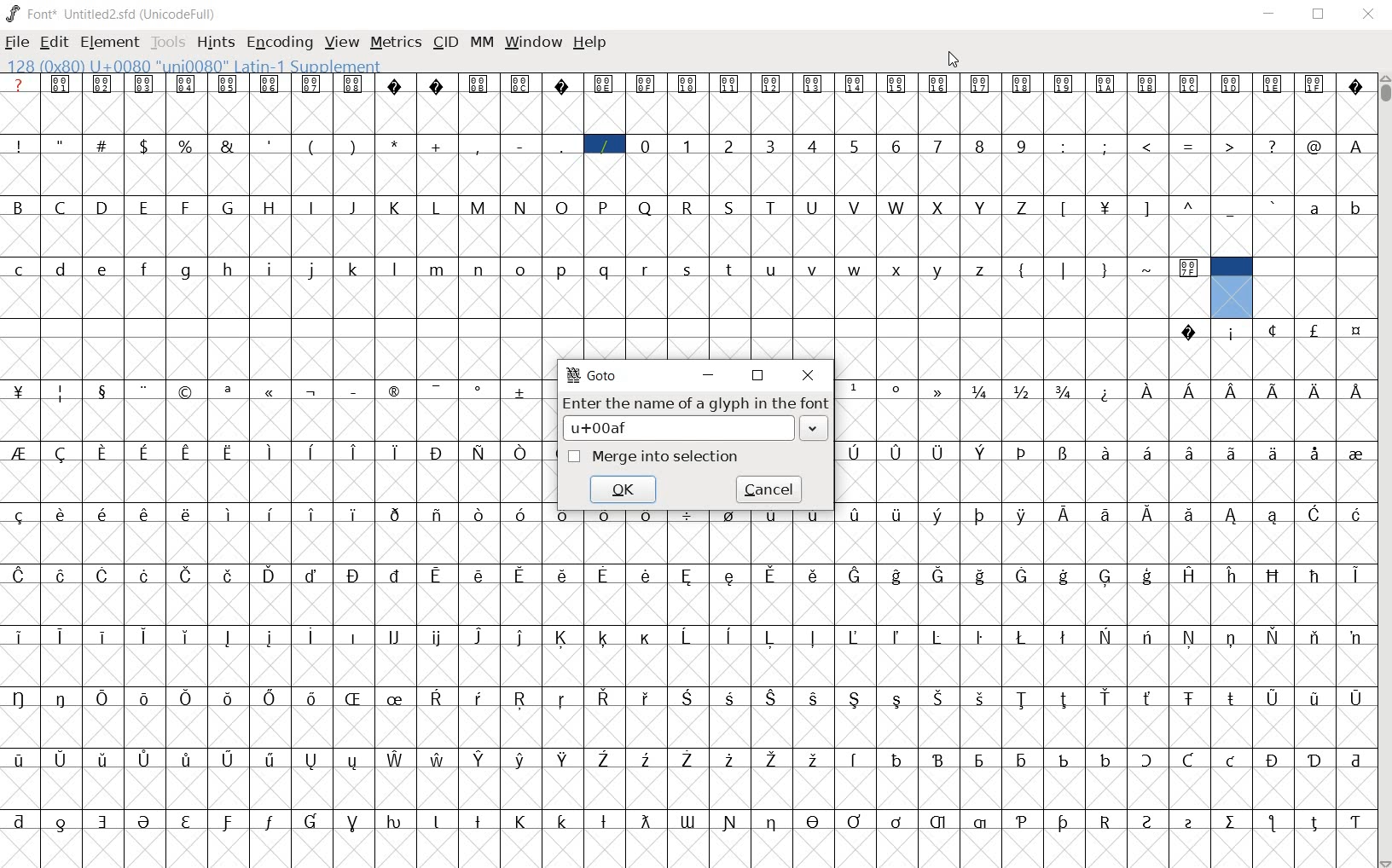 Image resolution: width=1392 pixels, height=868 pixels. Describe the element at coordinates (1273, 515) in the screenshot. I see `Symbol` at that location.